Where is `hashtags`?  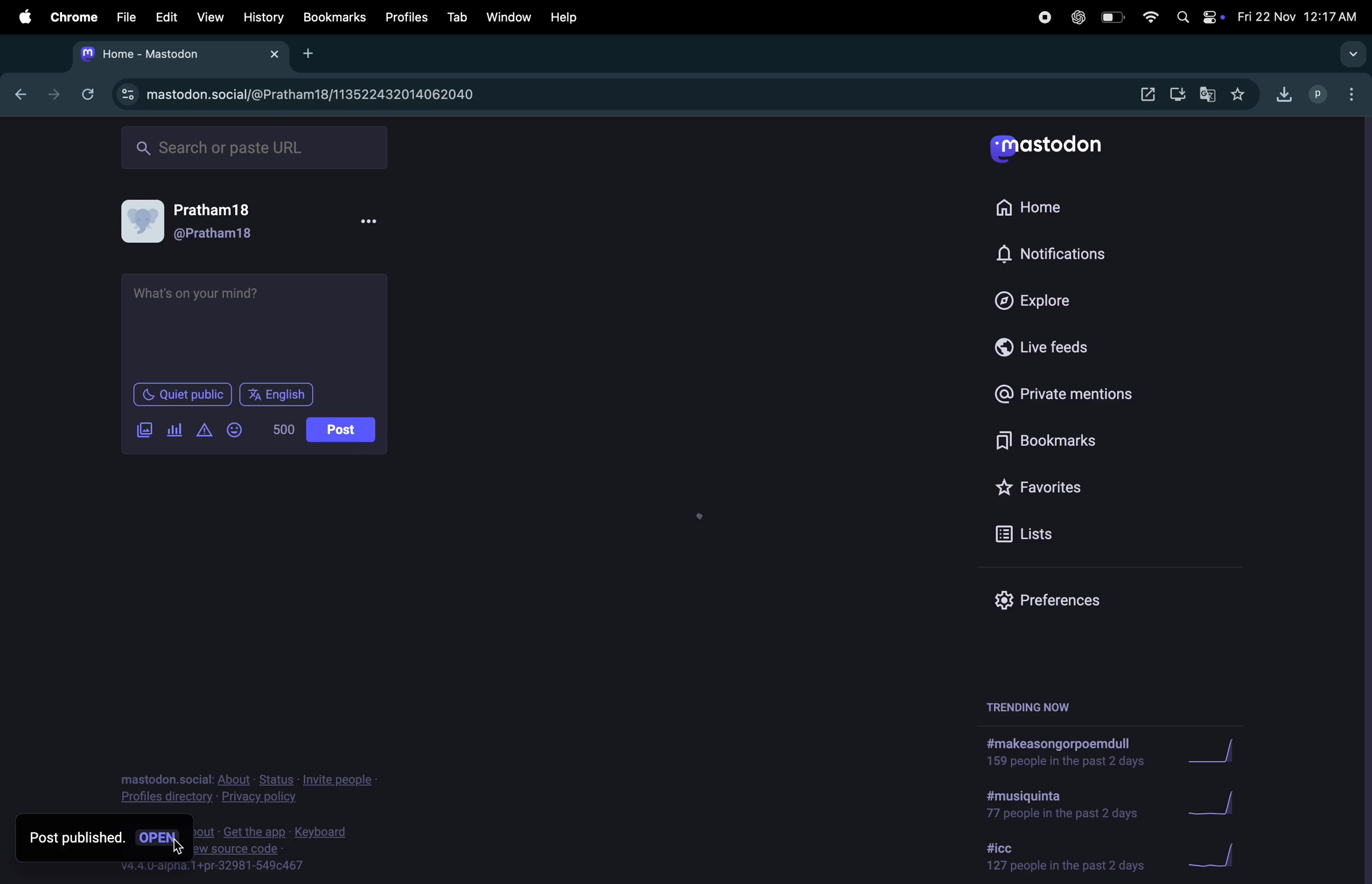
hashtags is located at coordinates (1054, 751).